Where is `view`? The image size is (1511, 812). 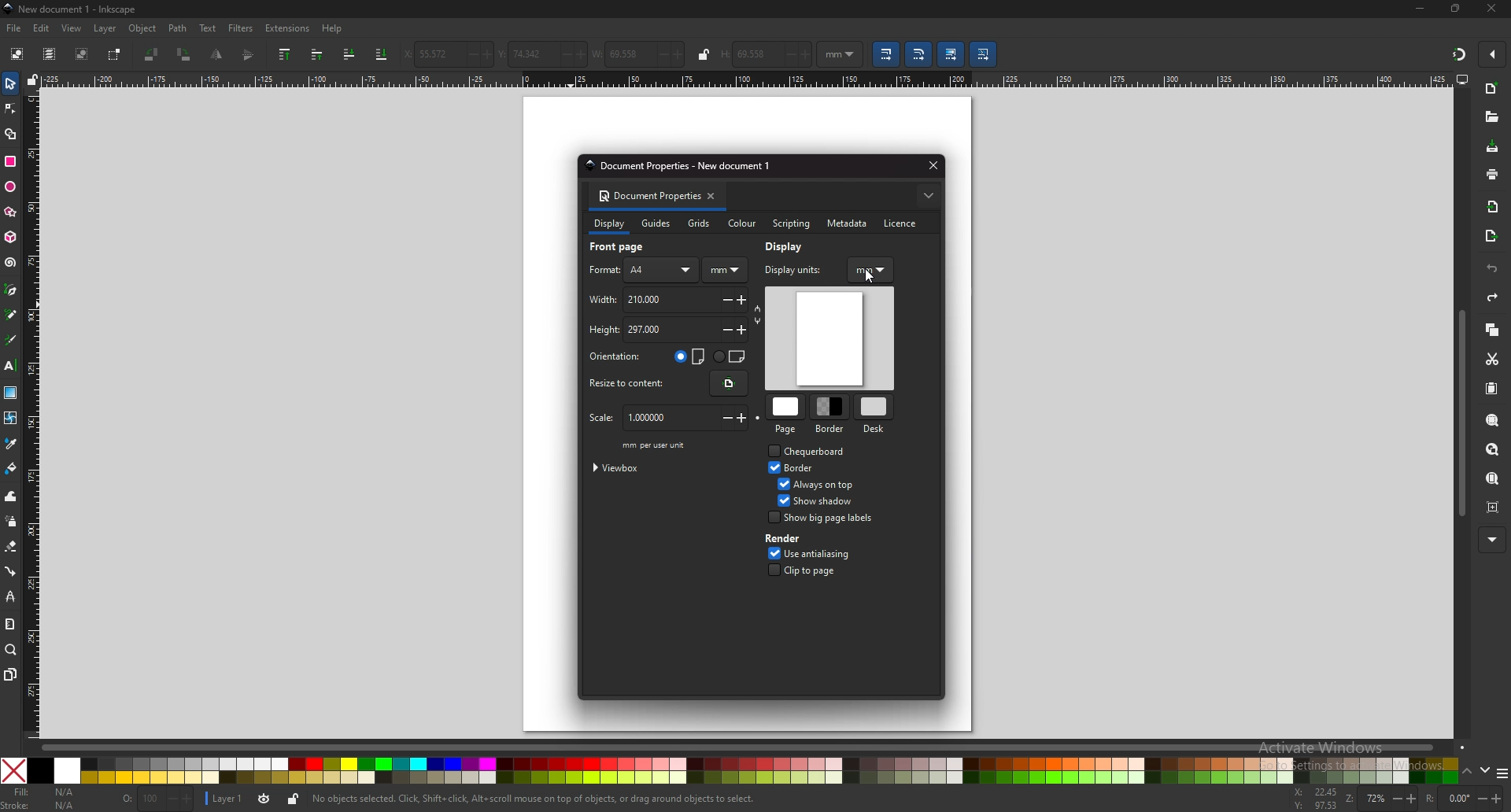
view is located at coordinates (74, 28).